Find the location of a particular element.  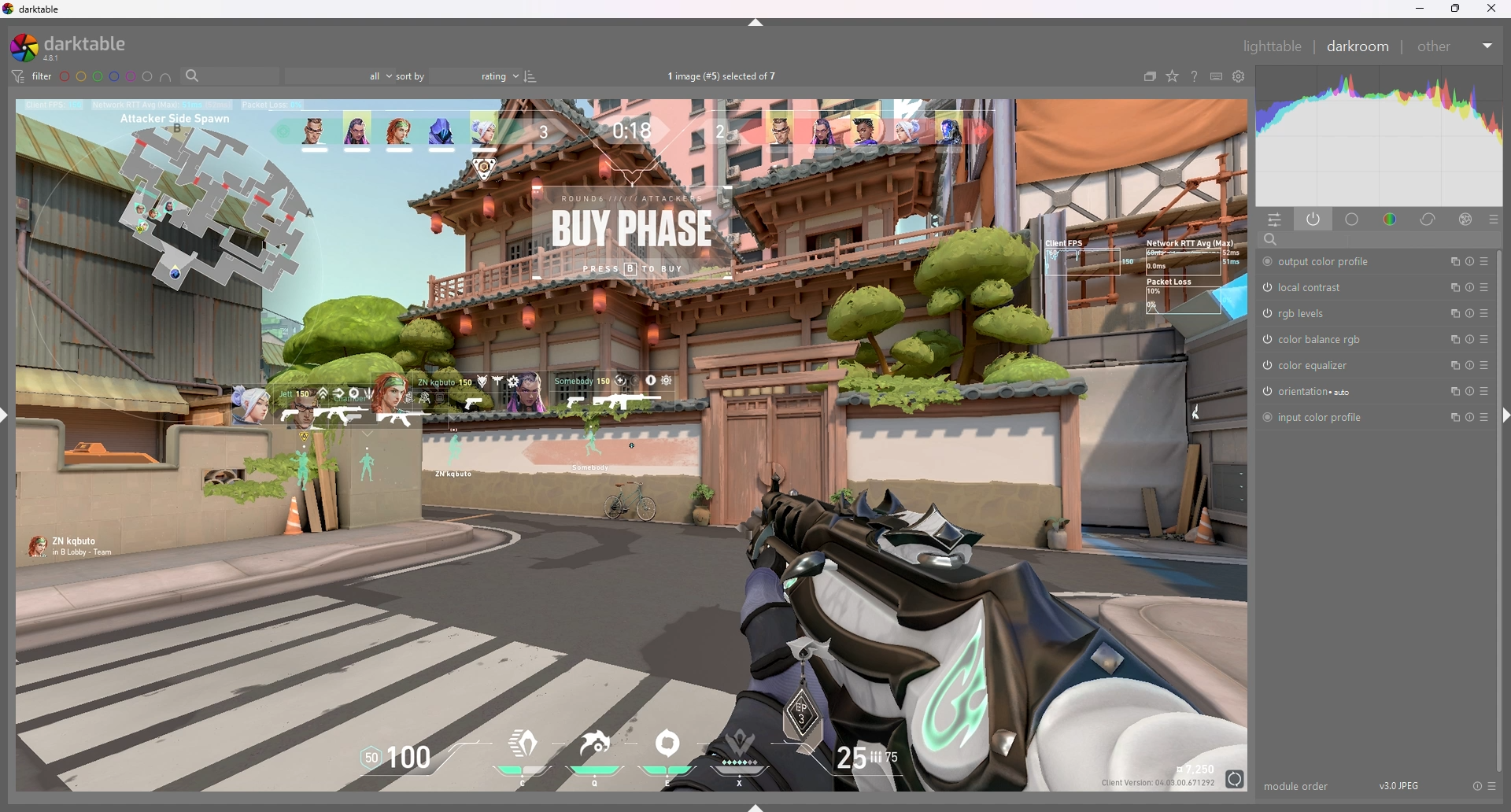

images selected is located at coordinates (726, 76).